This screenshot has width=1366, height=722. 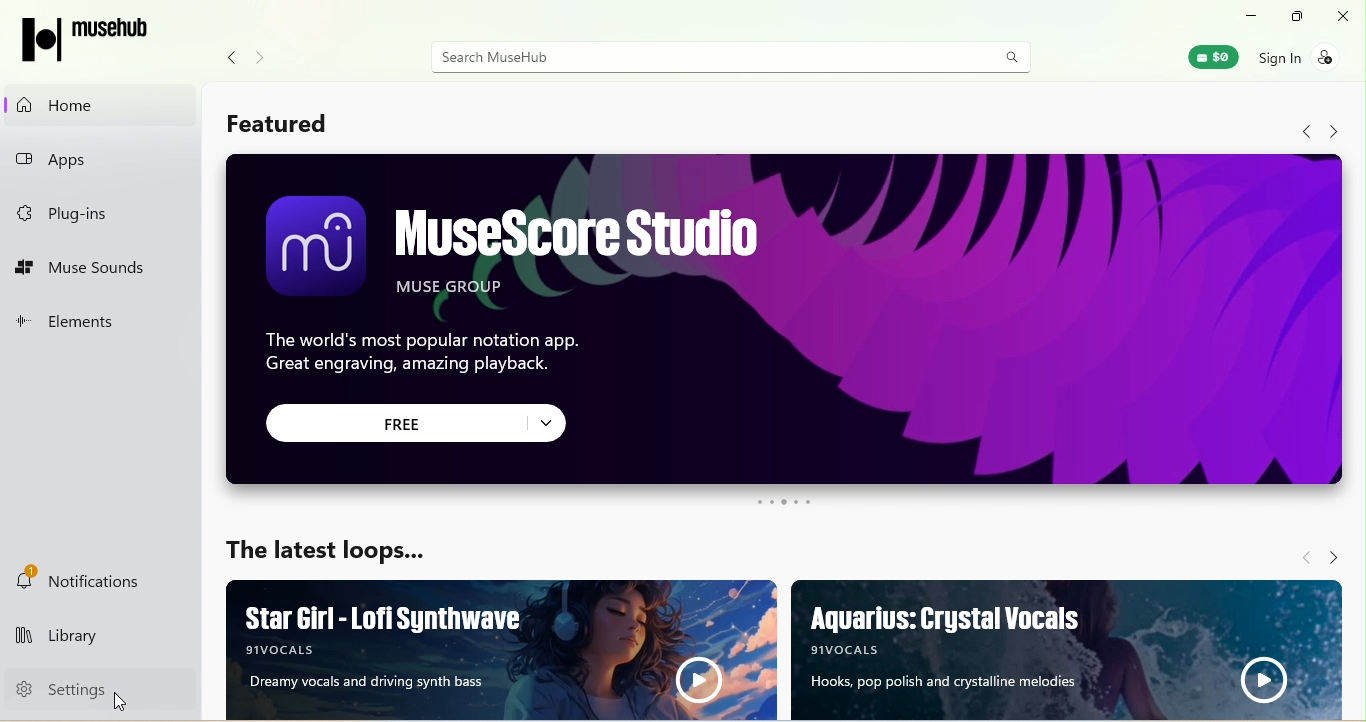 I want to click on Navigate forward, so click(x=1335, y=127).